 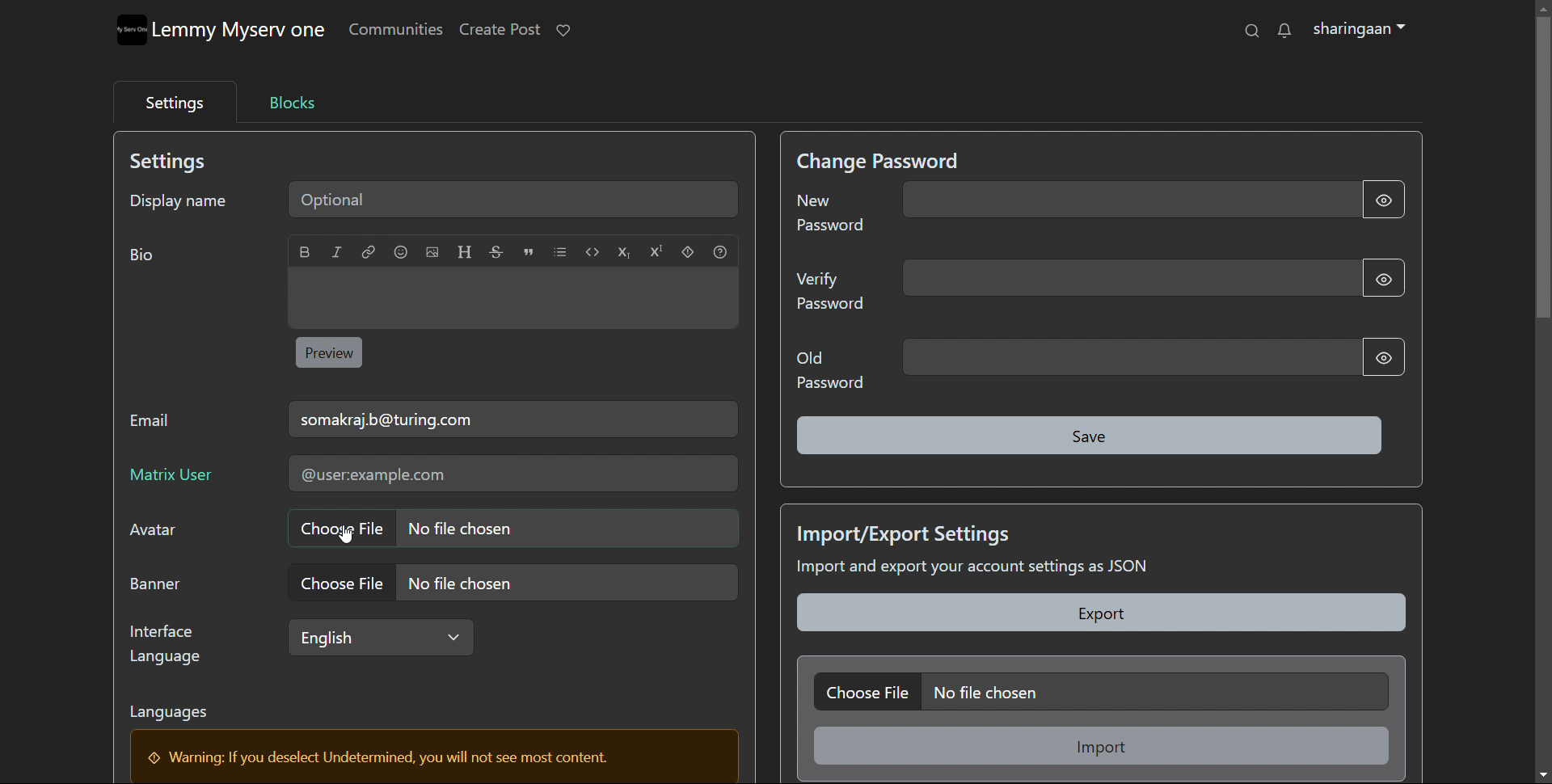 I want to click on scrollbar, so click(x=1544, y=388).